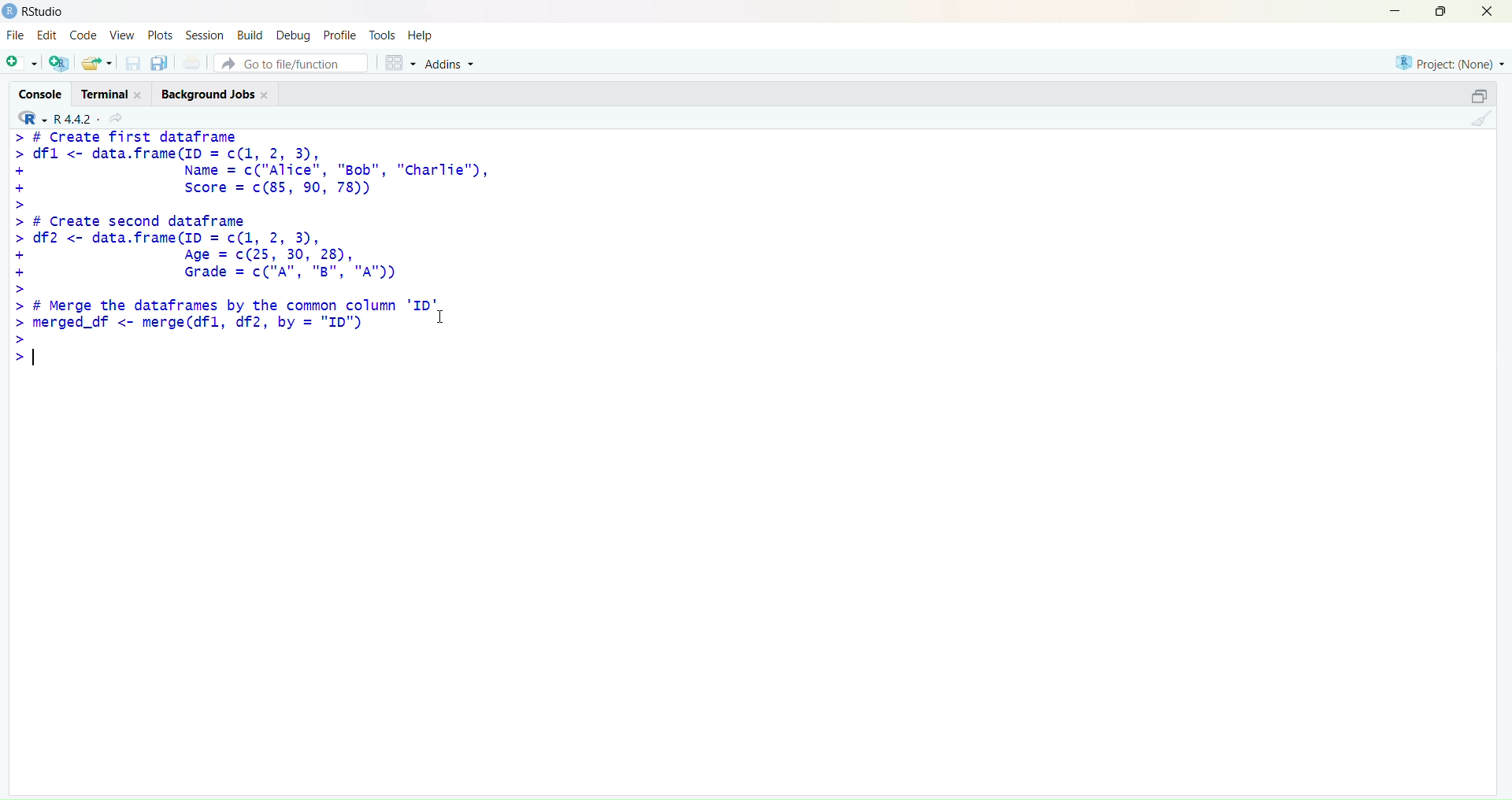  What do you see at coordinates (251, 35) in the screenshot?
I see `Build` at bounding box center [251, 35].